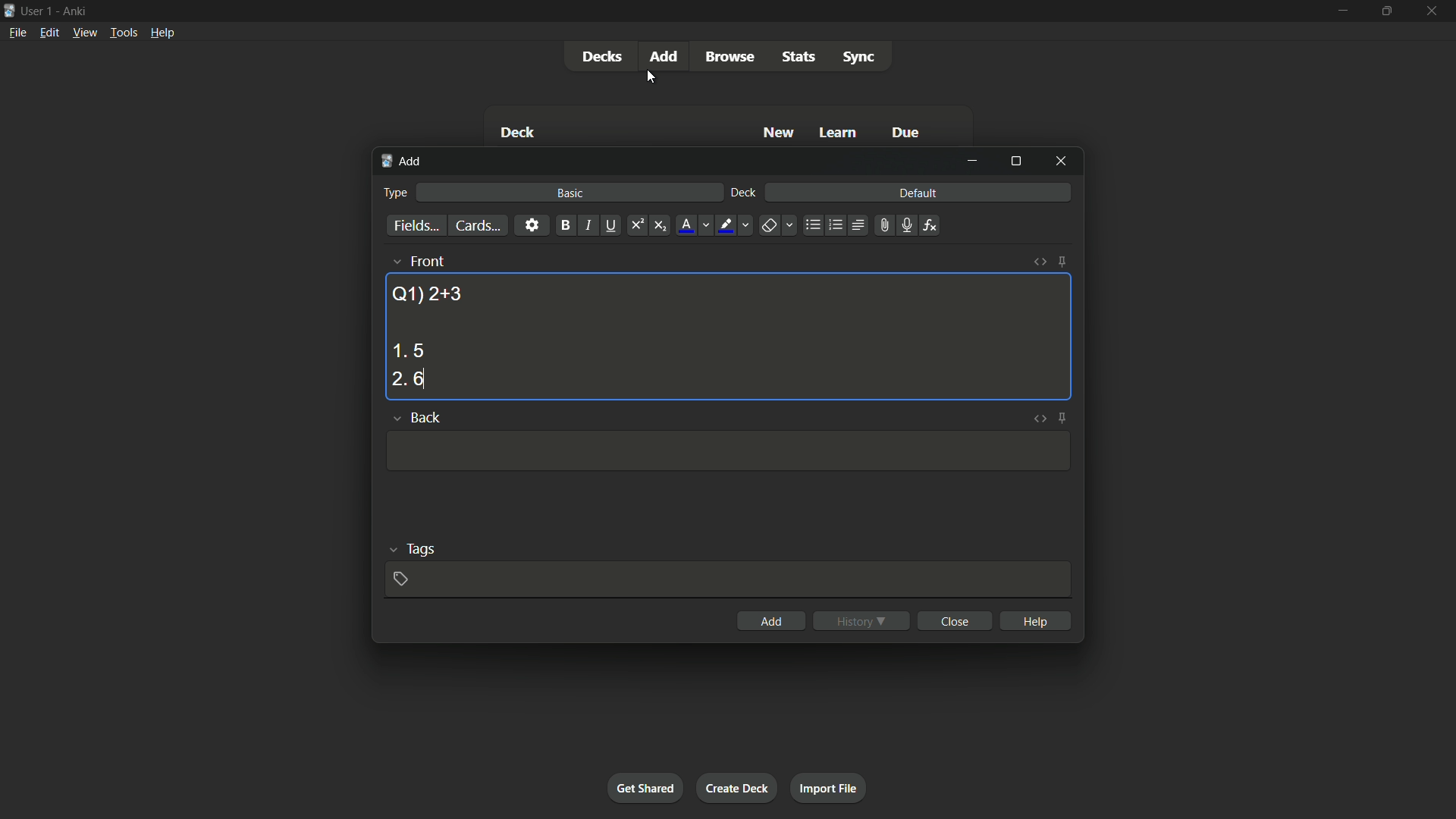 The image size is (1456, 819). I want to click on deck, so click(517, 134).